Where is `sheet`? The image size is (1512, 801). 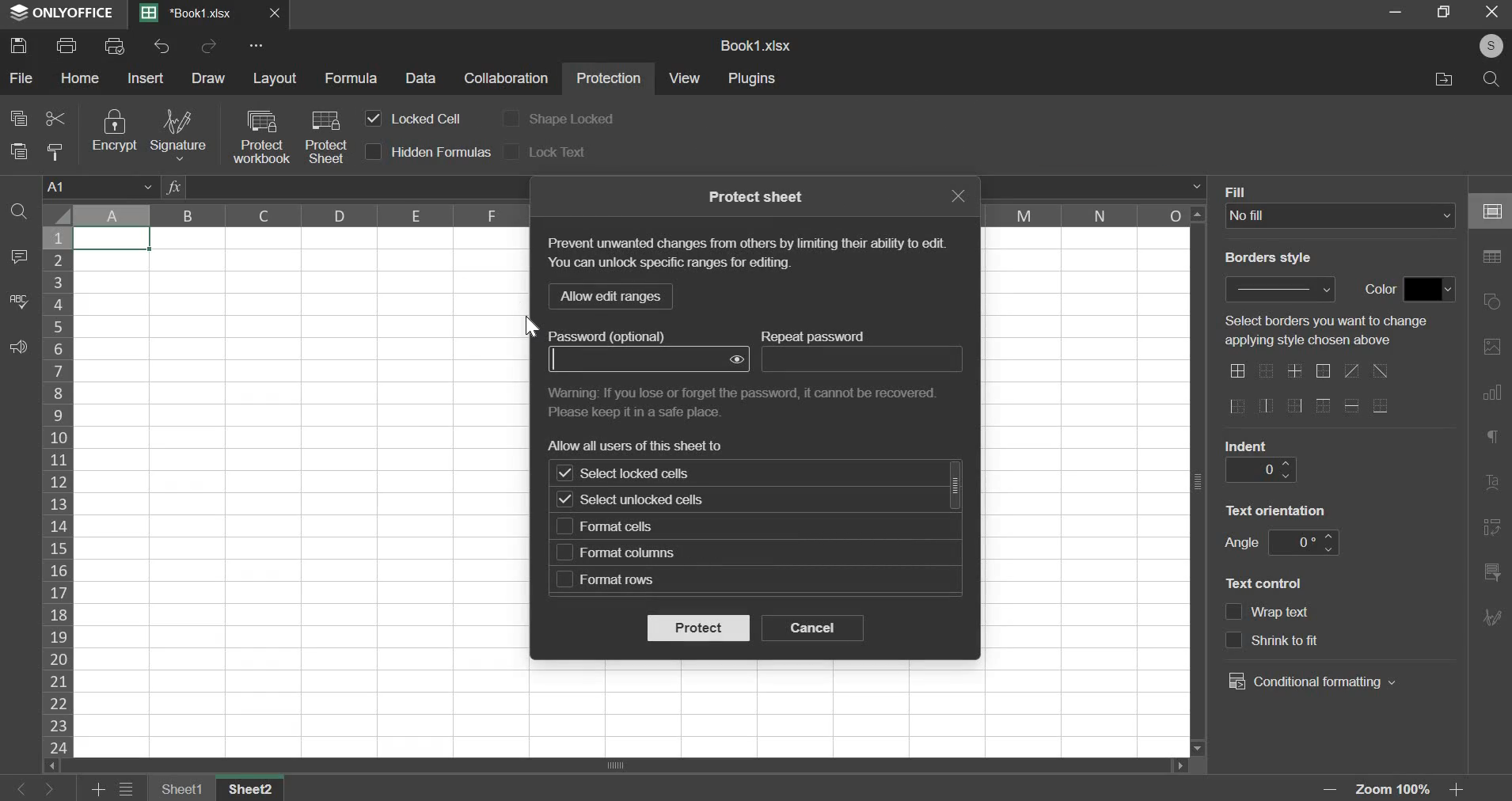 sheet is located at coordinates (255, 788).